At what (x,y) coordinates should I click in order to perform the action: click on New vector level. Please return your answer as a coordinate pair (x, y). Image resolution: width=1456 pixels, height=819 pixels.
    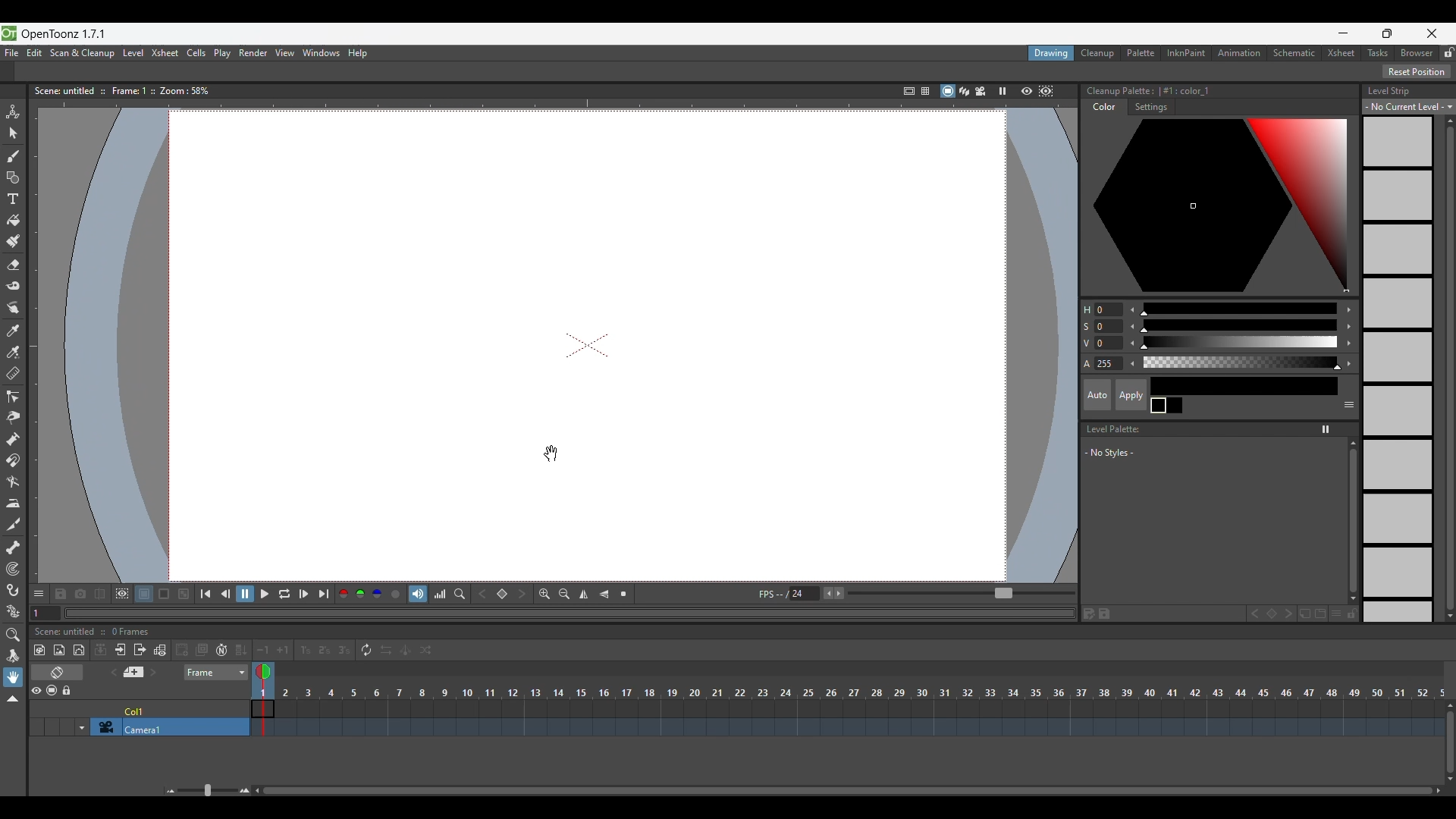
    Looking at the image, I should click on (79, 650).